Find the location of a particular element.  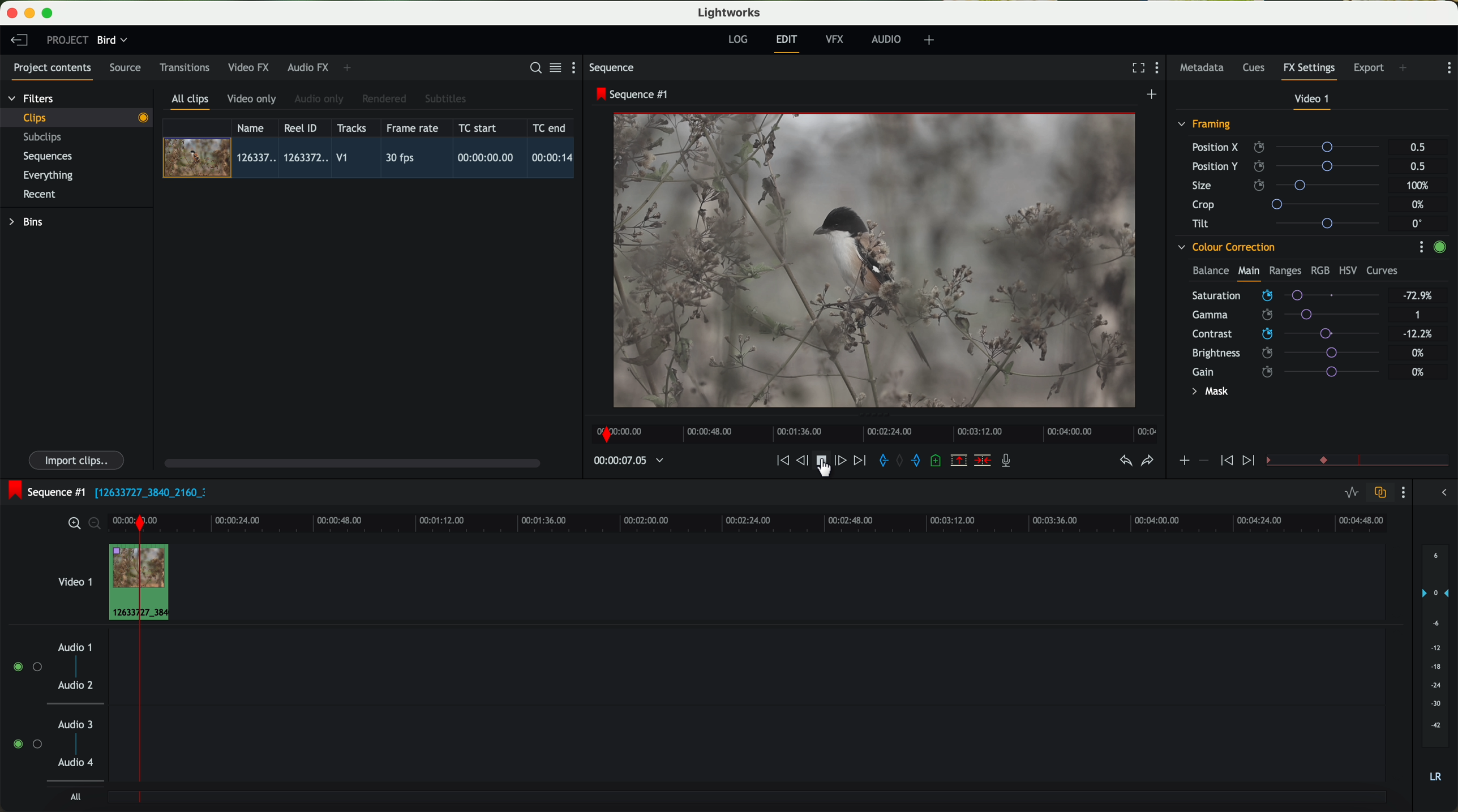

timeline is located at coordinates (623, 461).